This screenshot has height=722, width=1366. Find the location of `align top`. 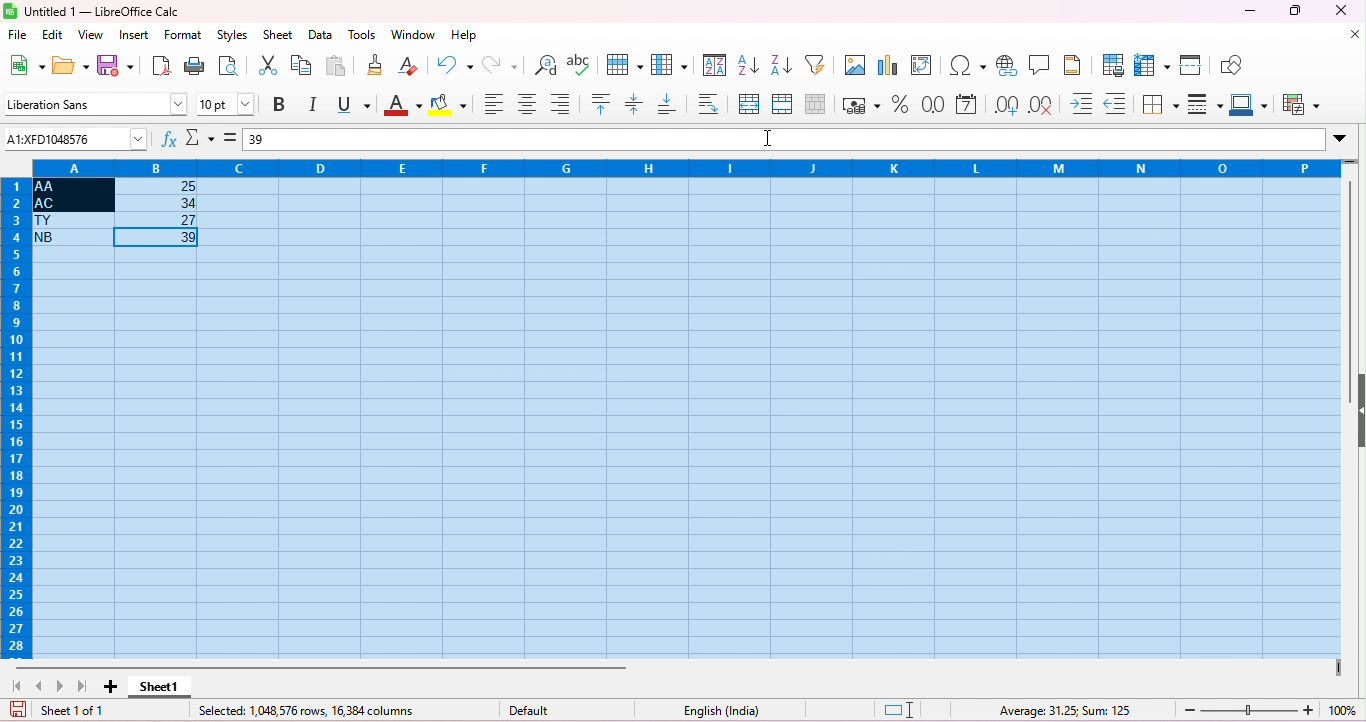

align top is located at coordinates (603, 103).